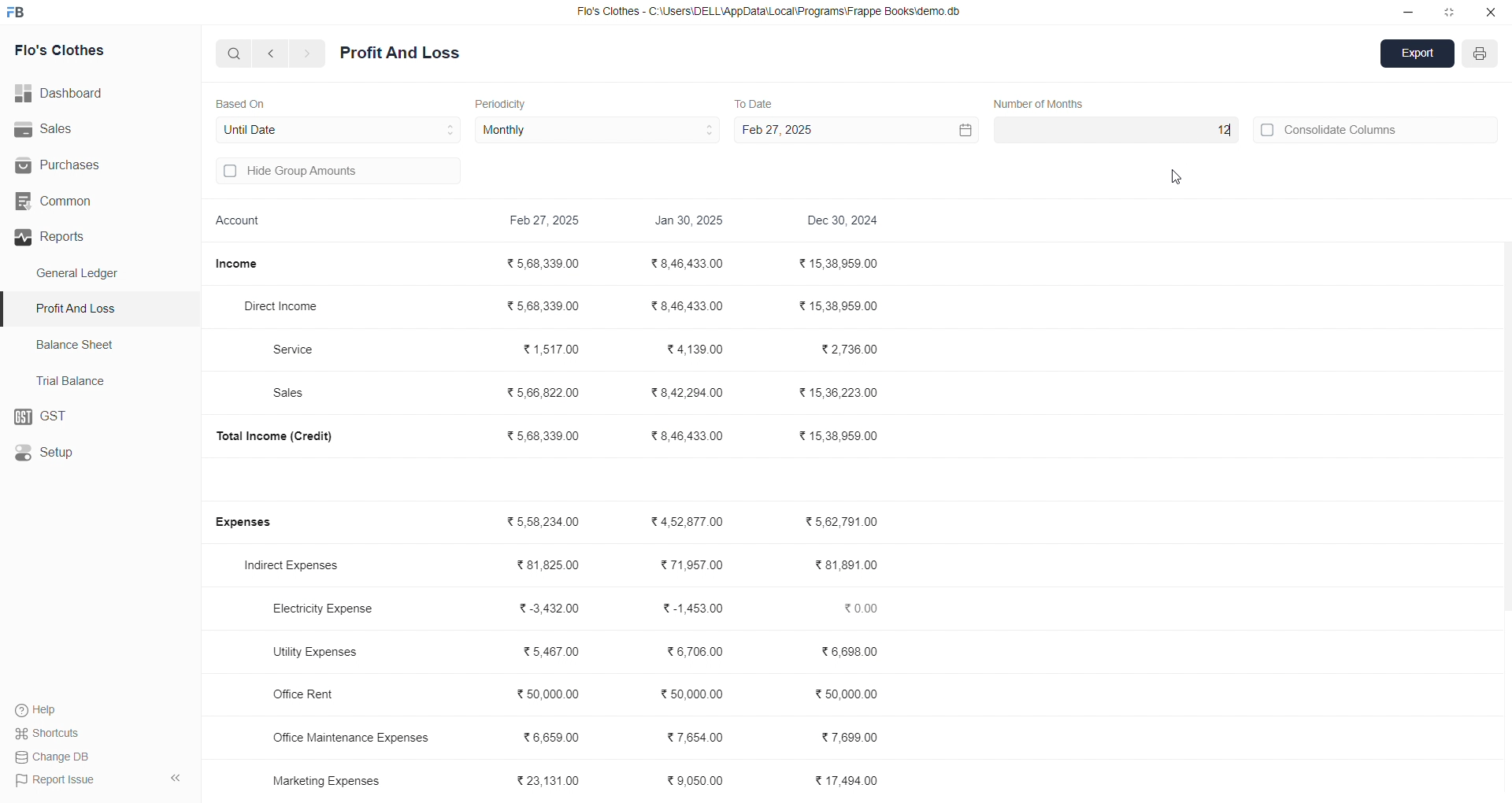 This screenshot has width=1512, height=803. I want to click on Income, so click(243, 264).